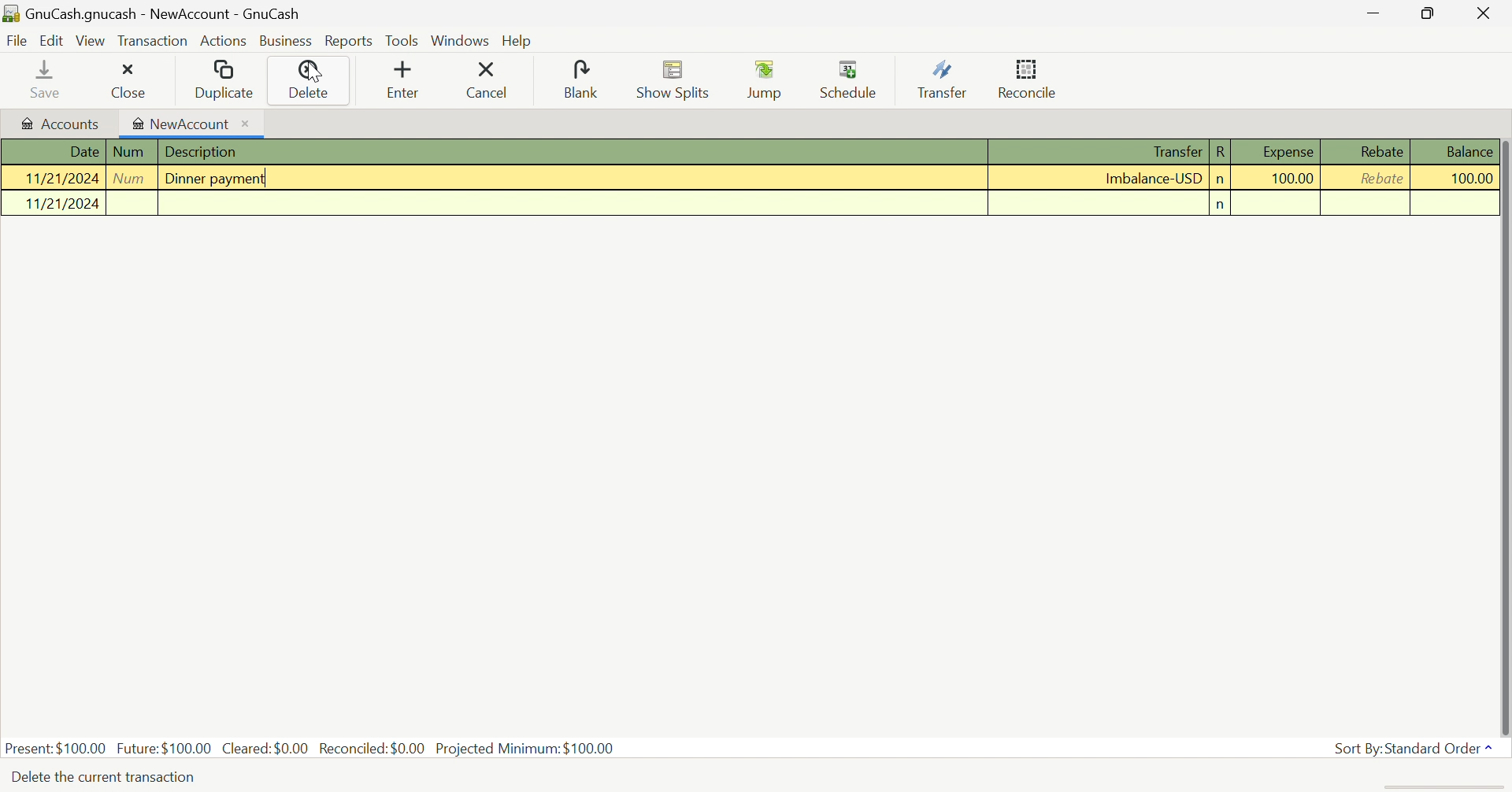  I want to click on Cursor, so click(315, 74).